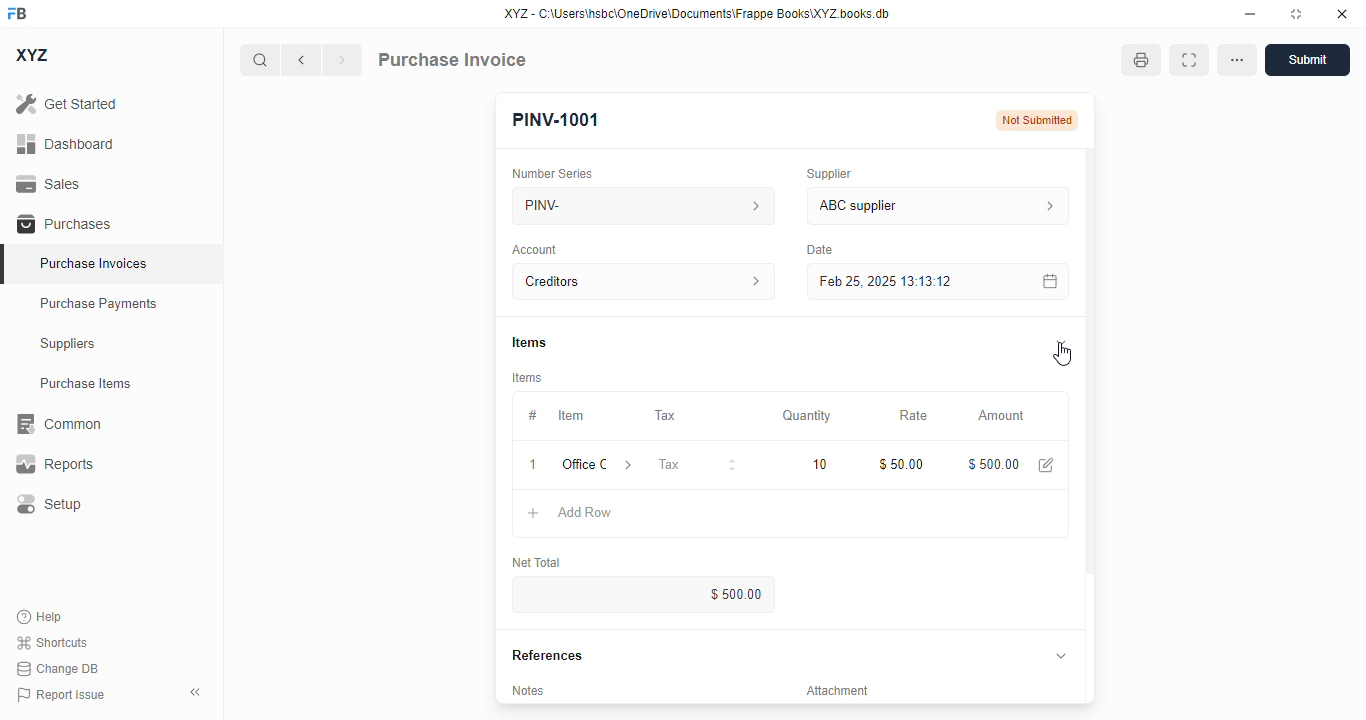 The height and width of the screenshot is (720, 1366). I want to click on feb 25, 2025 13:13:12, so click(905, 281).